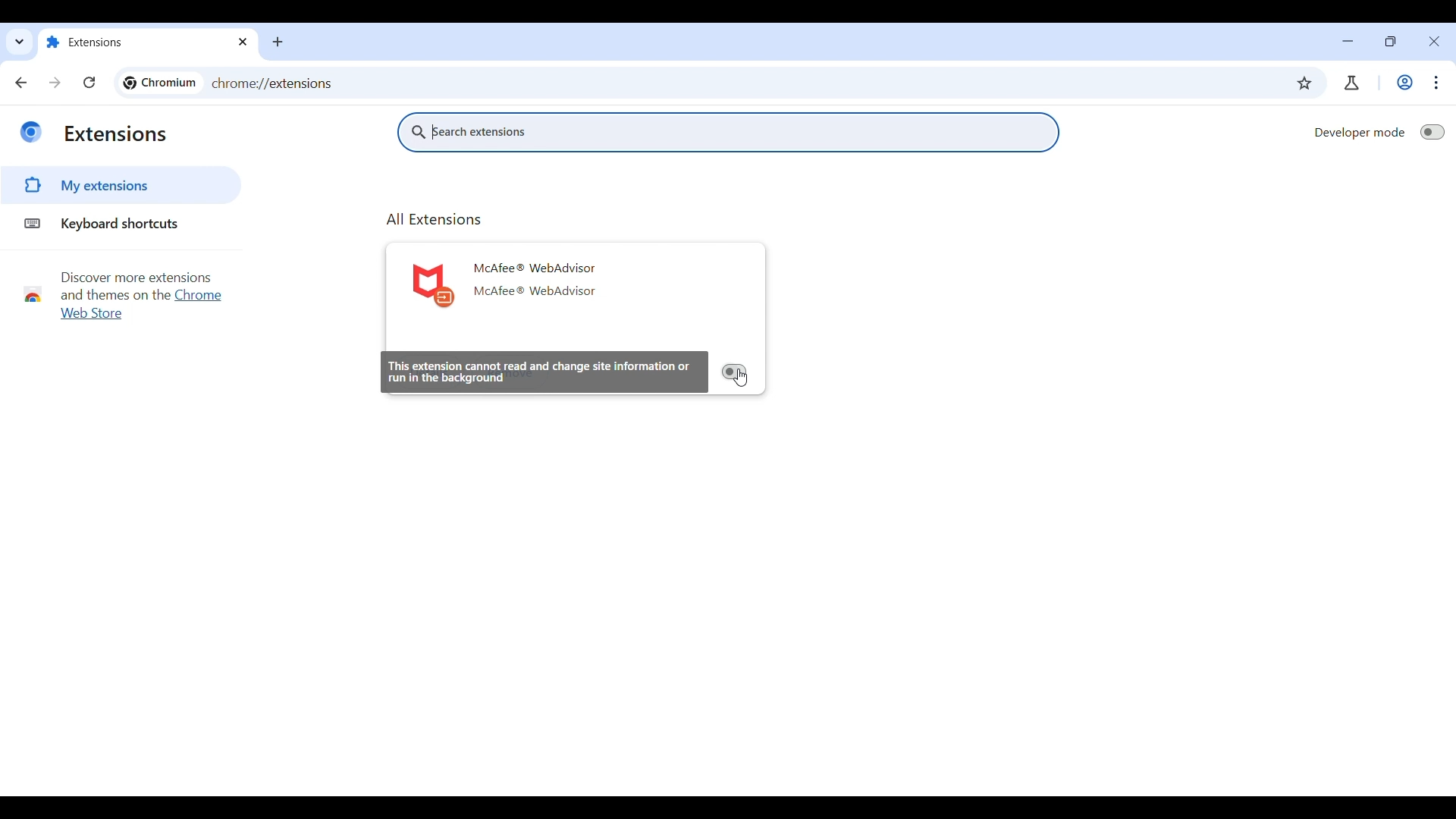 The width and height of the screenshot is (1456, 819). Describe the element at coordinates (1404, 82) in the screenshot. I see `Work` at that location.